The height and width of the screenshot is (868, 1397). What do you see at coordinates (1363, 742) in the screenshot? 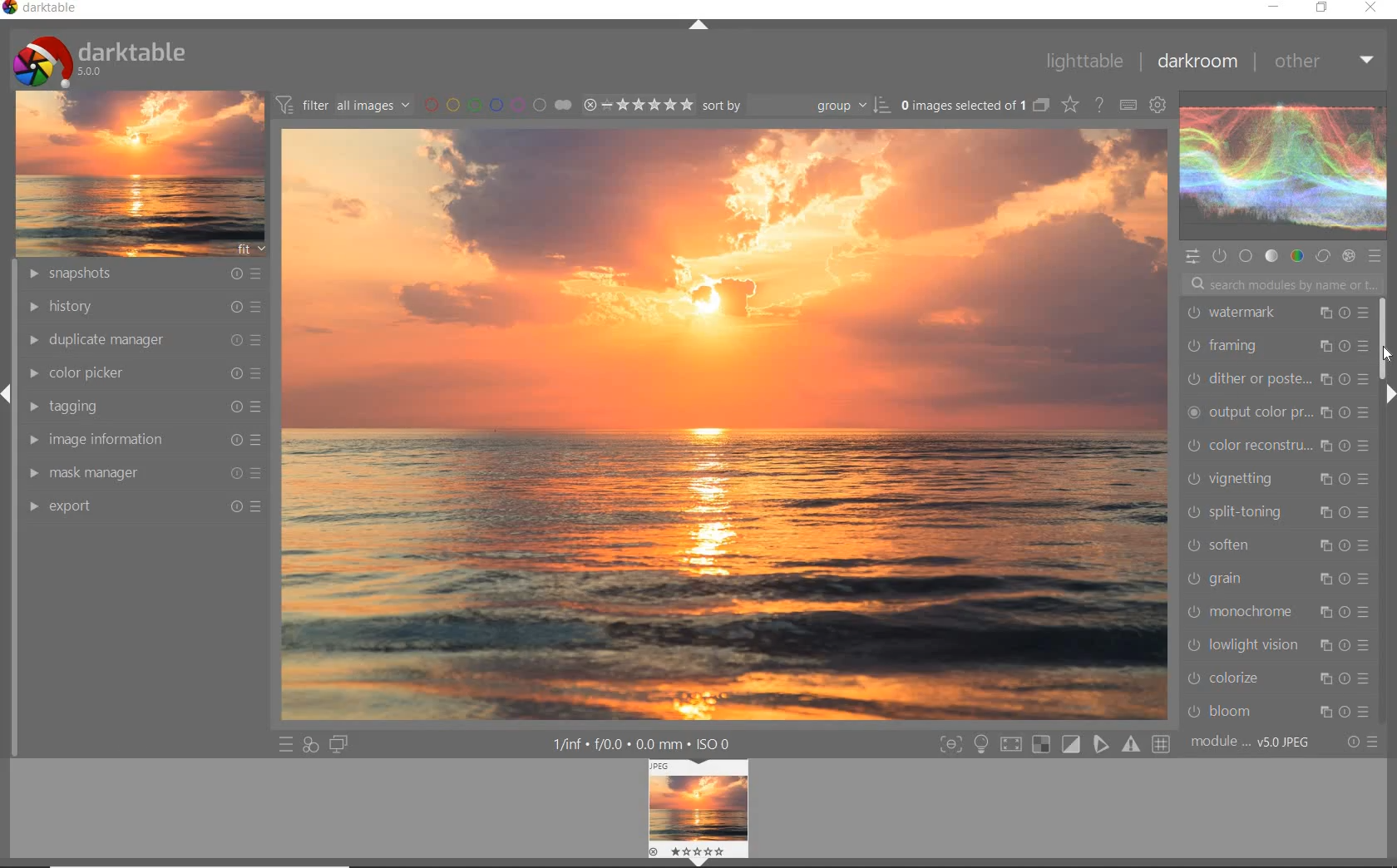
I see `RESET OR PRESET &PREFERENCE` at bounding box center [1363, 742].